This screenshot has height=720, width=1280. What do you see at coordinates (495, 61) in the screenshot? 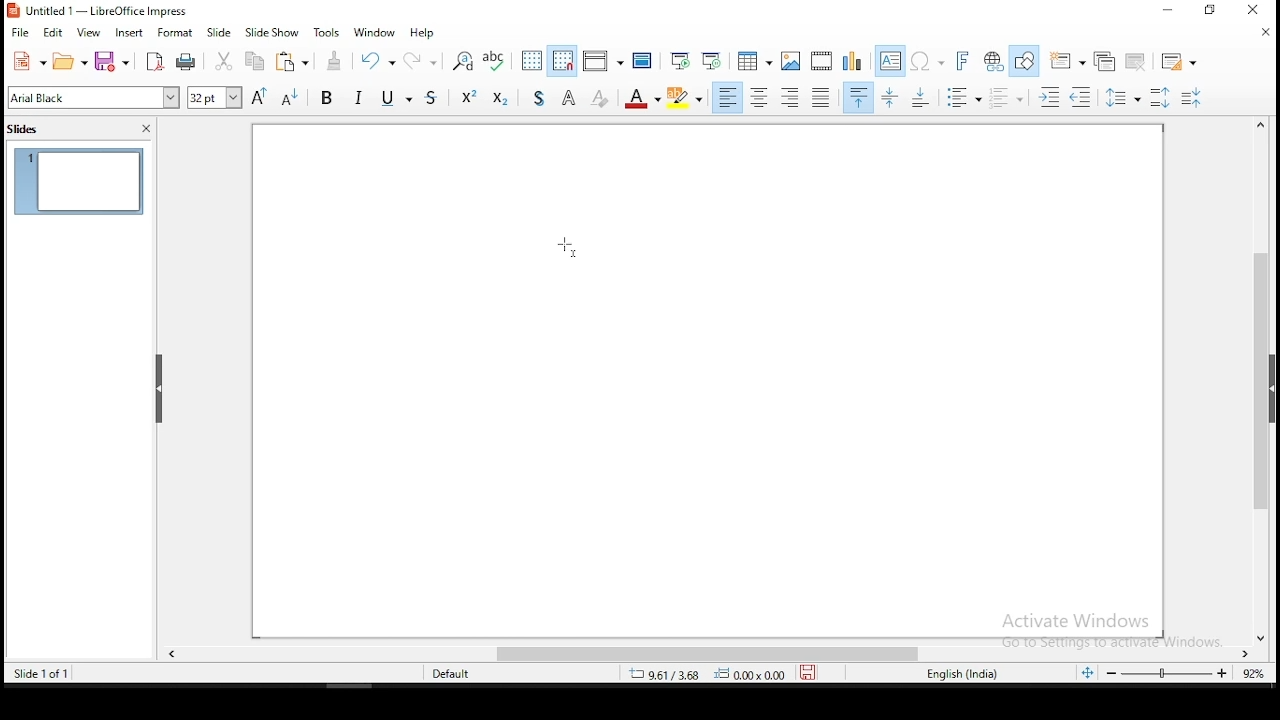
I see `spell check` at bounding box center [495, 61].